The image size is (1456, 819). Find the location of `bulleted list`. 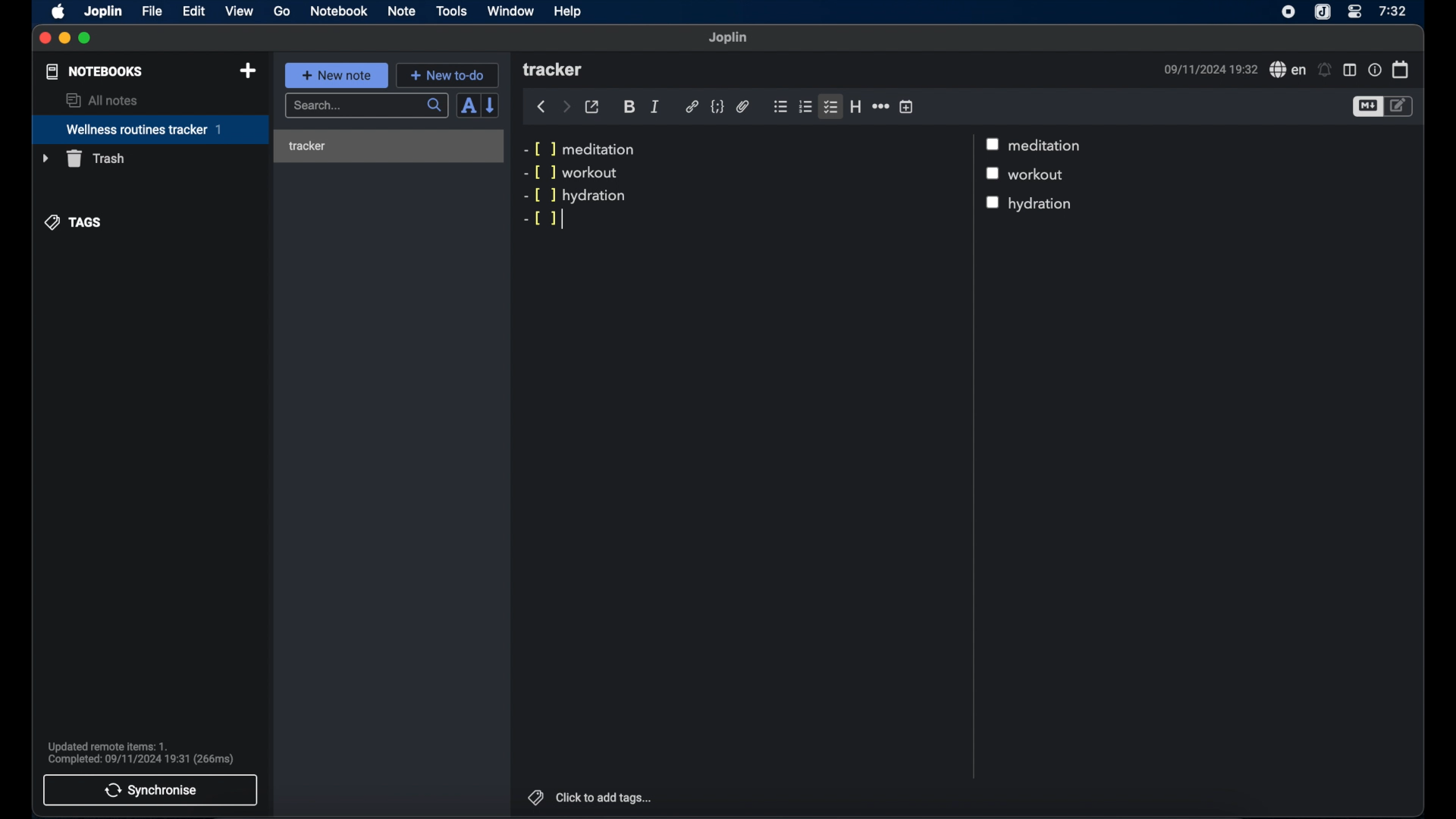

bulleted list is located at coordinates (780, 107).